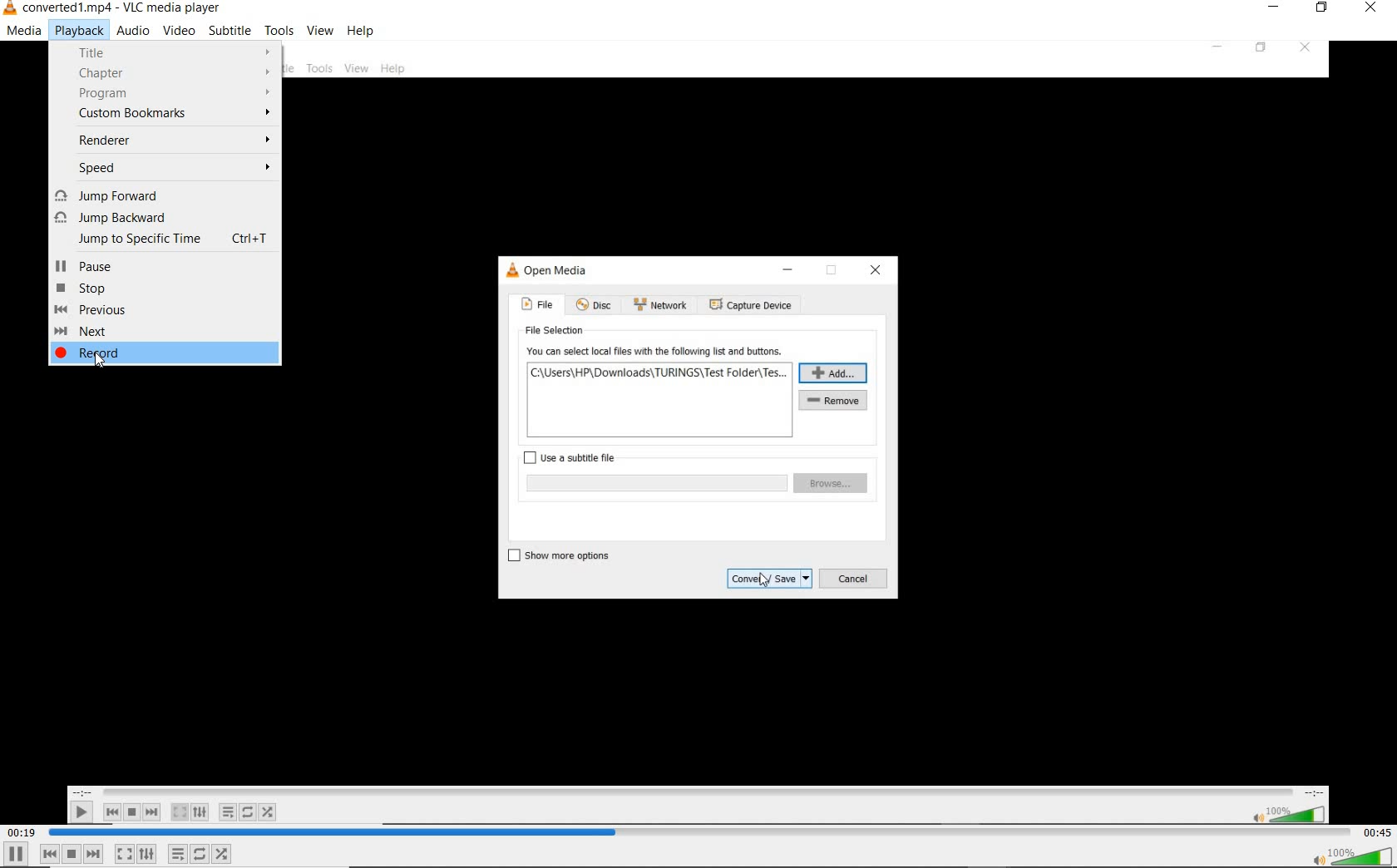  I want to click on jump to specific time, so click(175, 238).